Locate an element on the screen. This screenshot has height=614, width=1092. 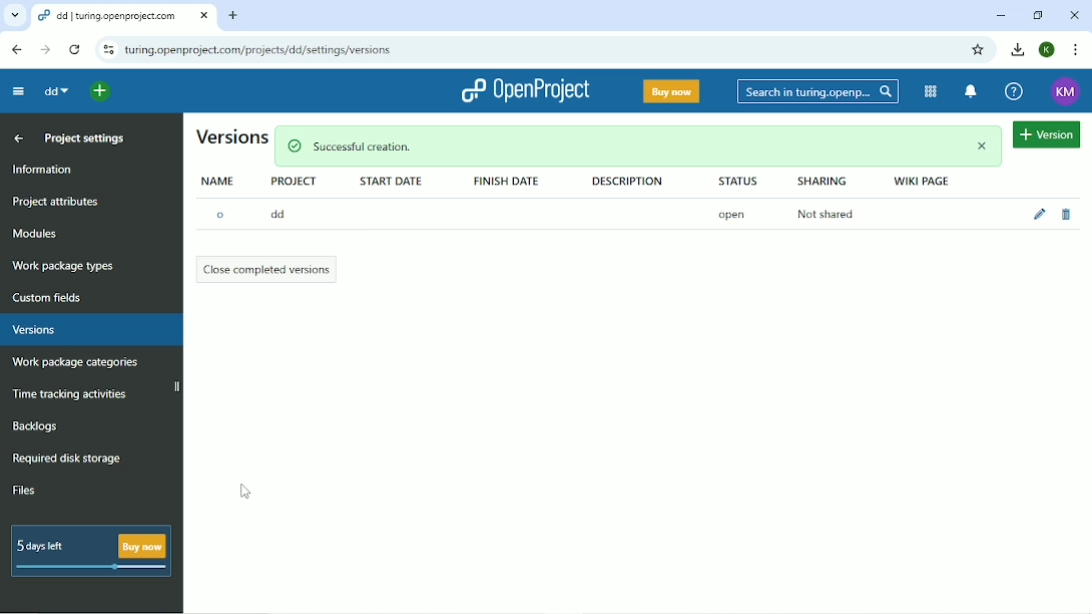
Up is located at coordinates (16, 138).